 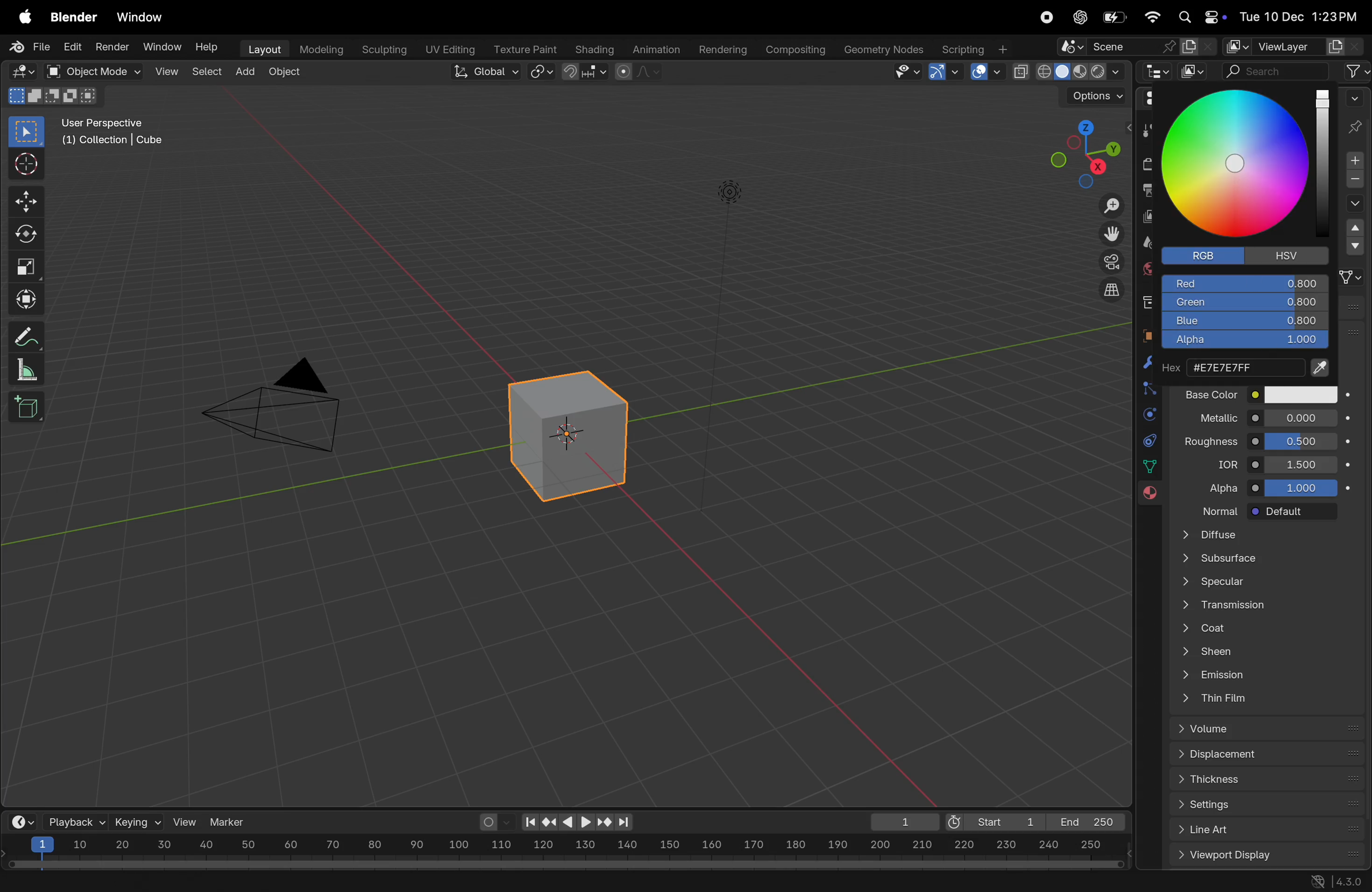 I want to click on proportional editing objects, so click(x=640, y=73).